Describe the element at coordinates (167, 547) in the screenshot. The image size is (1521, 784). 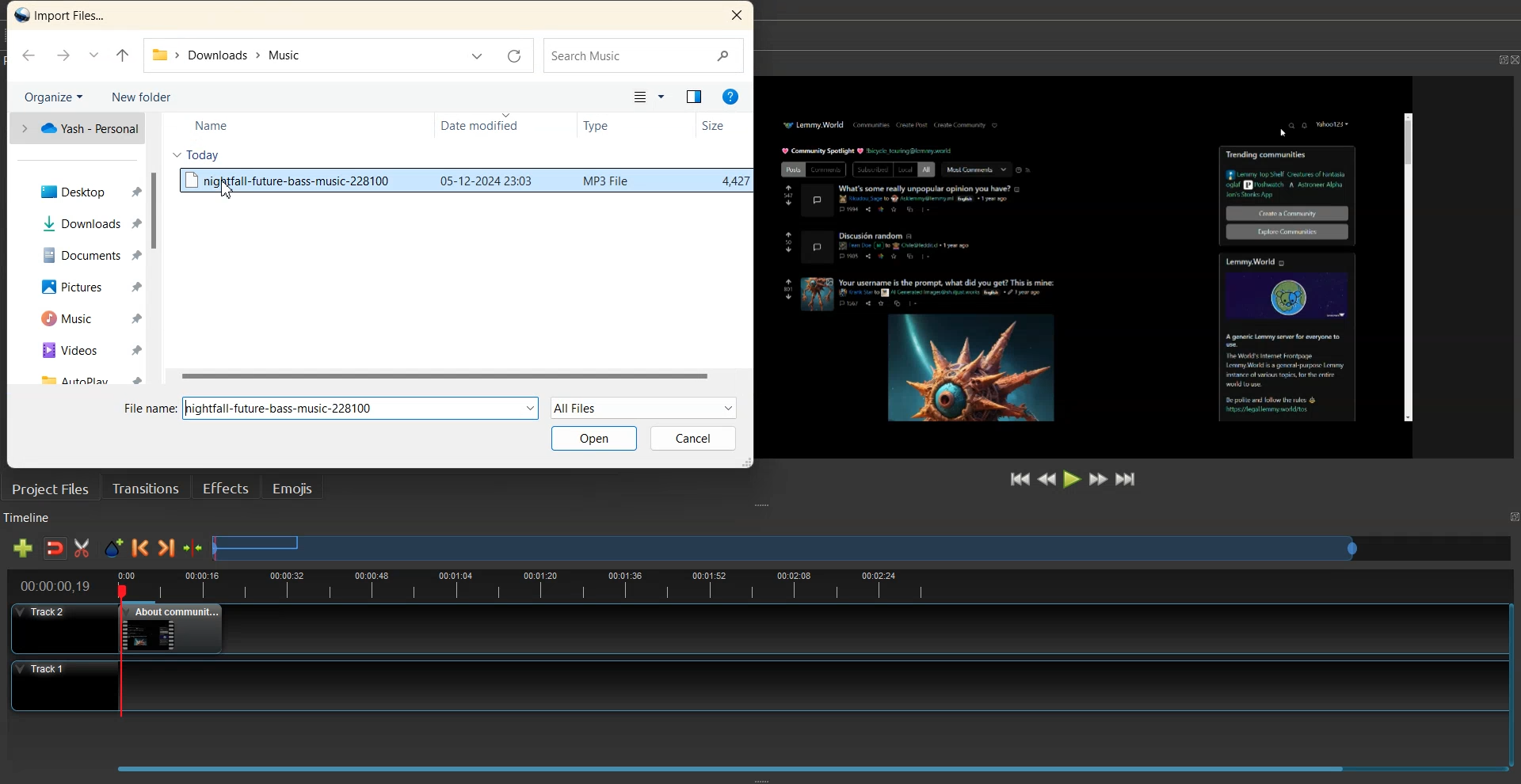
I see `Next Marker` at that location.